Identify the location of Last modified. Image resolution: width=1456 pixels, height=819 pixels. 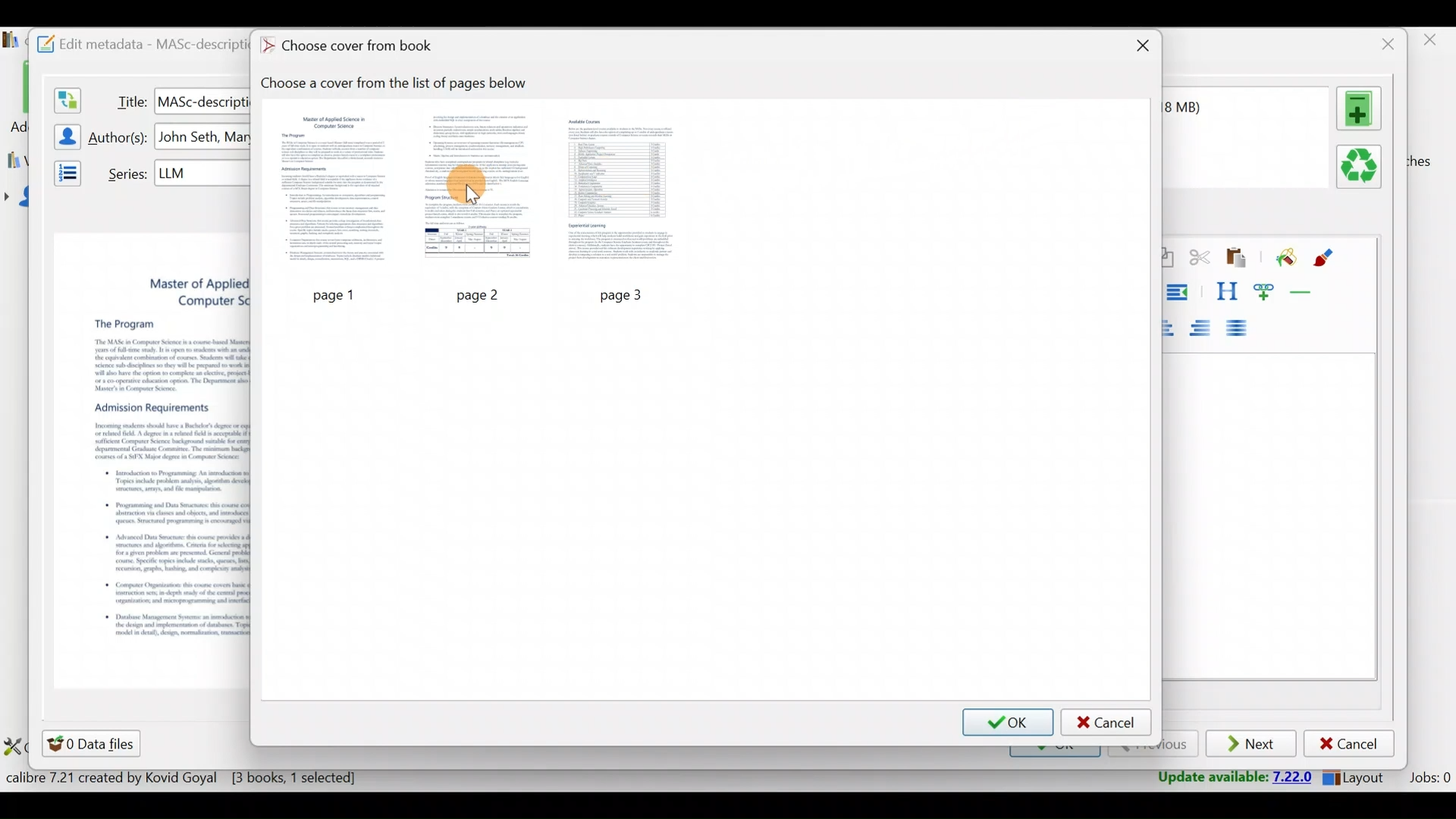
(1203, 107).